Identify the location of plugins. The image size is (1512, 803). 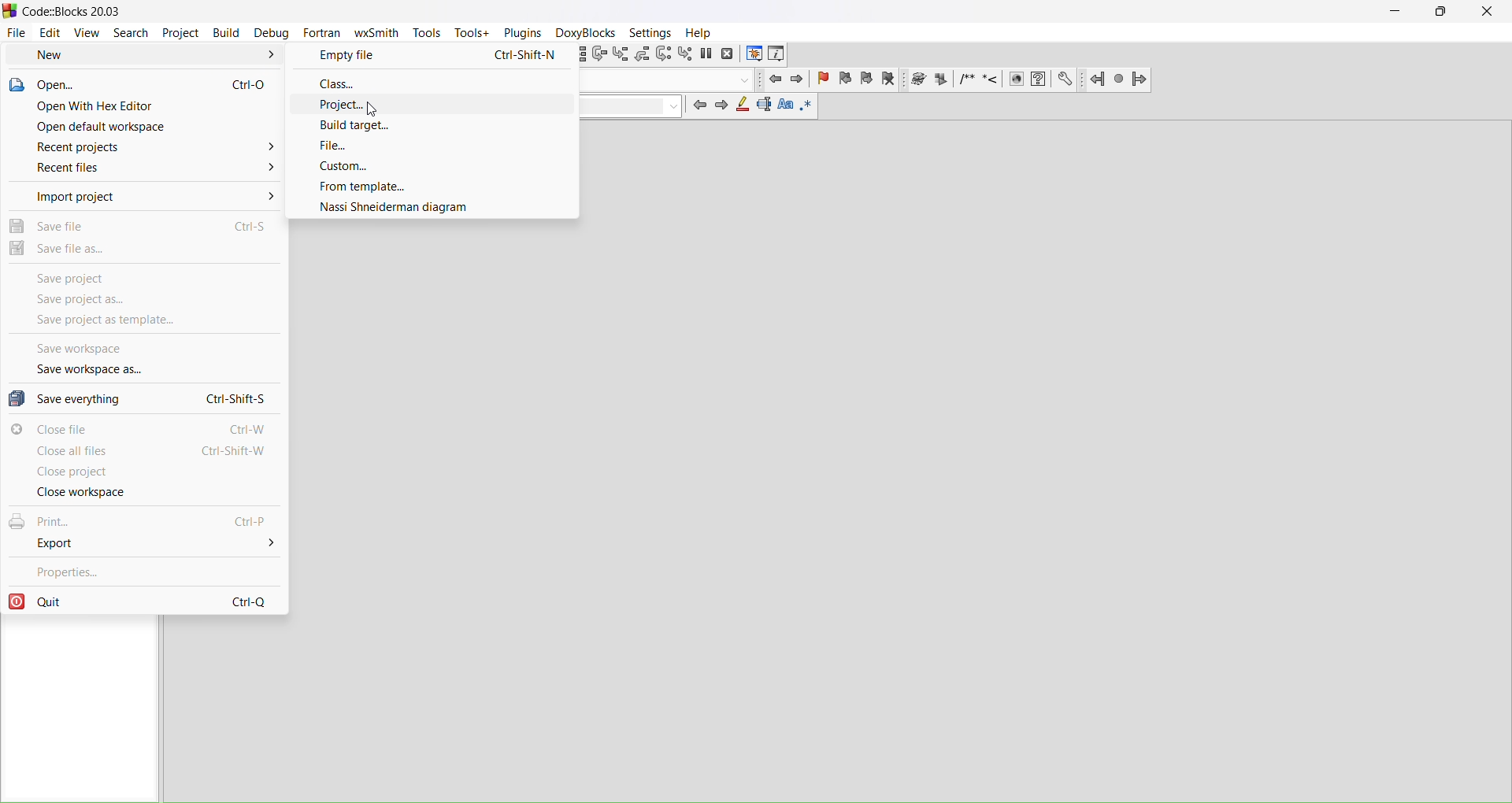
(524, 32).